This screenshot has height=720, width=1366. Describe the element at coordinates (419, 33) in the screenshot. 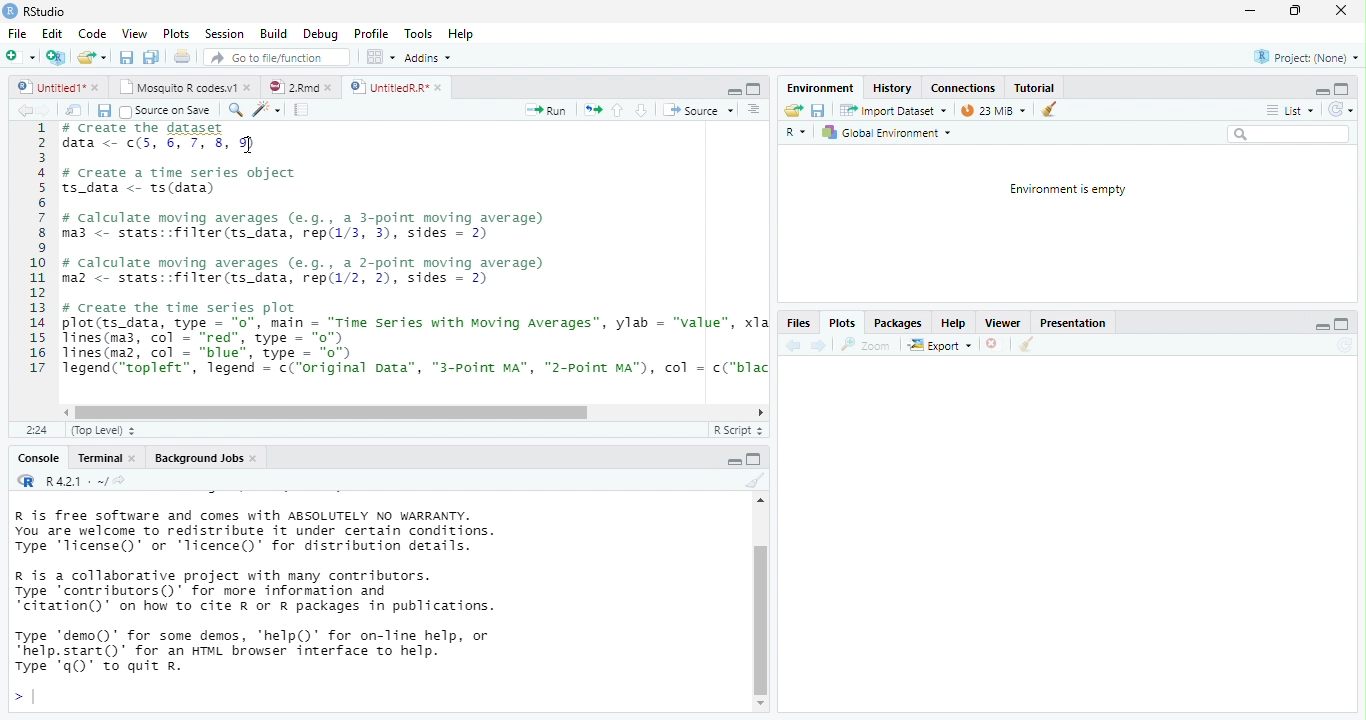

I see `Tools` at that location.